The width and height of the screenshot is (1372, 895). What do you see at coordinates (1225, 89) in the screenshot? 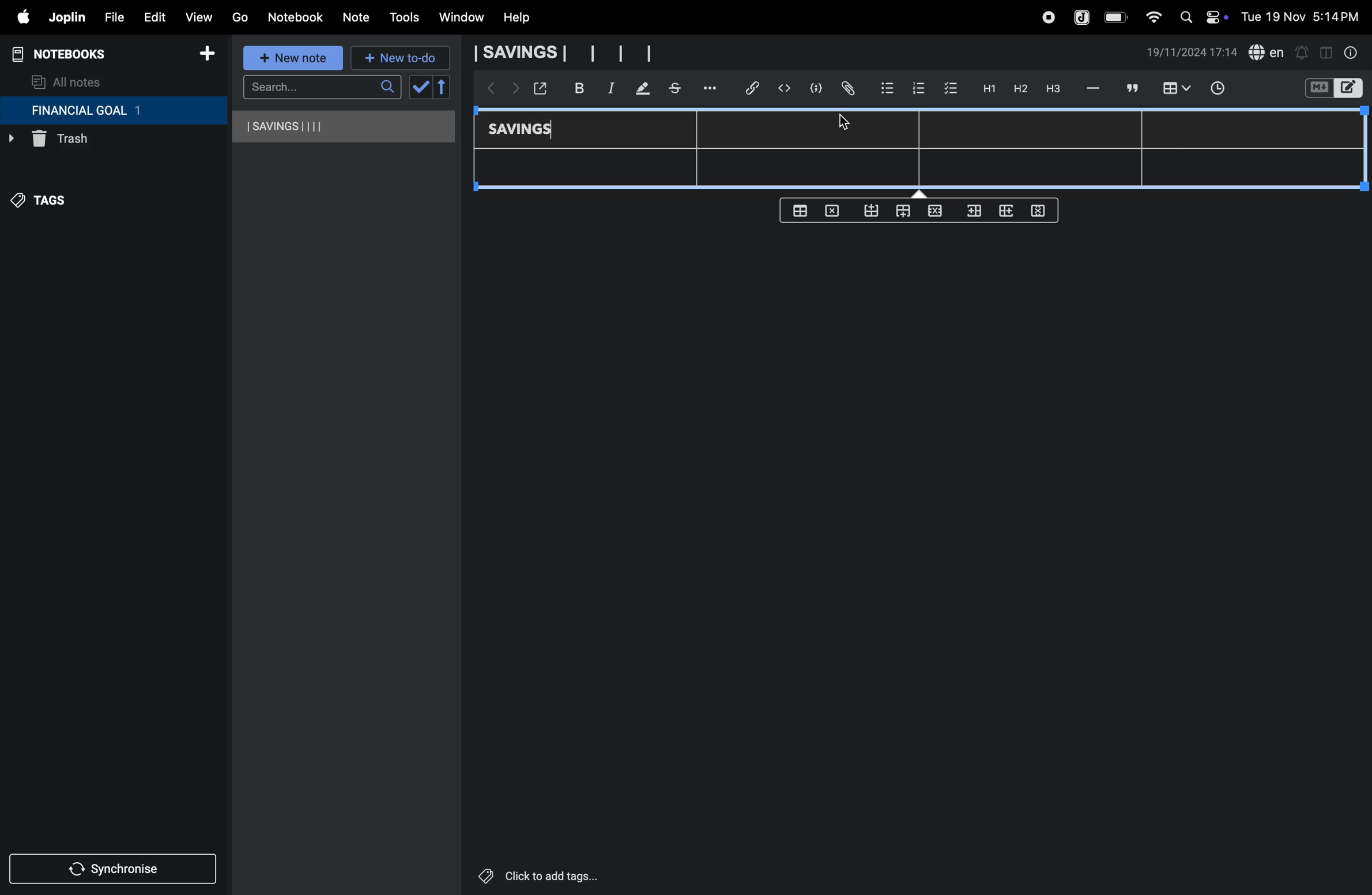
I see `time` at bounding box center [1225, 89].